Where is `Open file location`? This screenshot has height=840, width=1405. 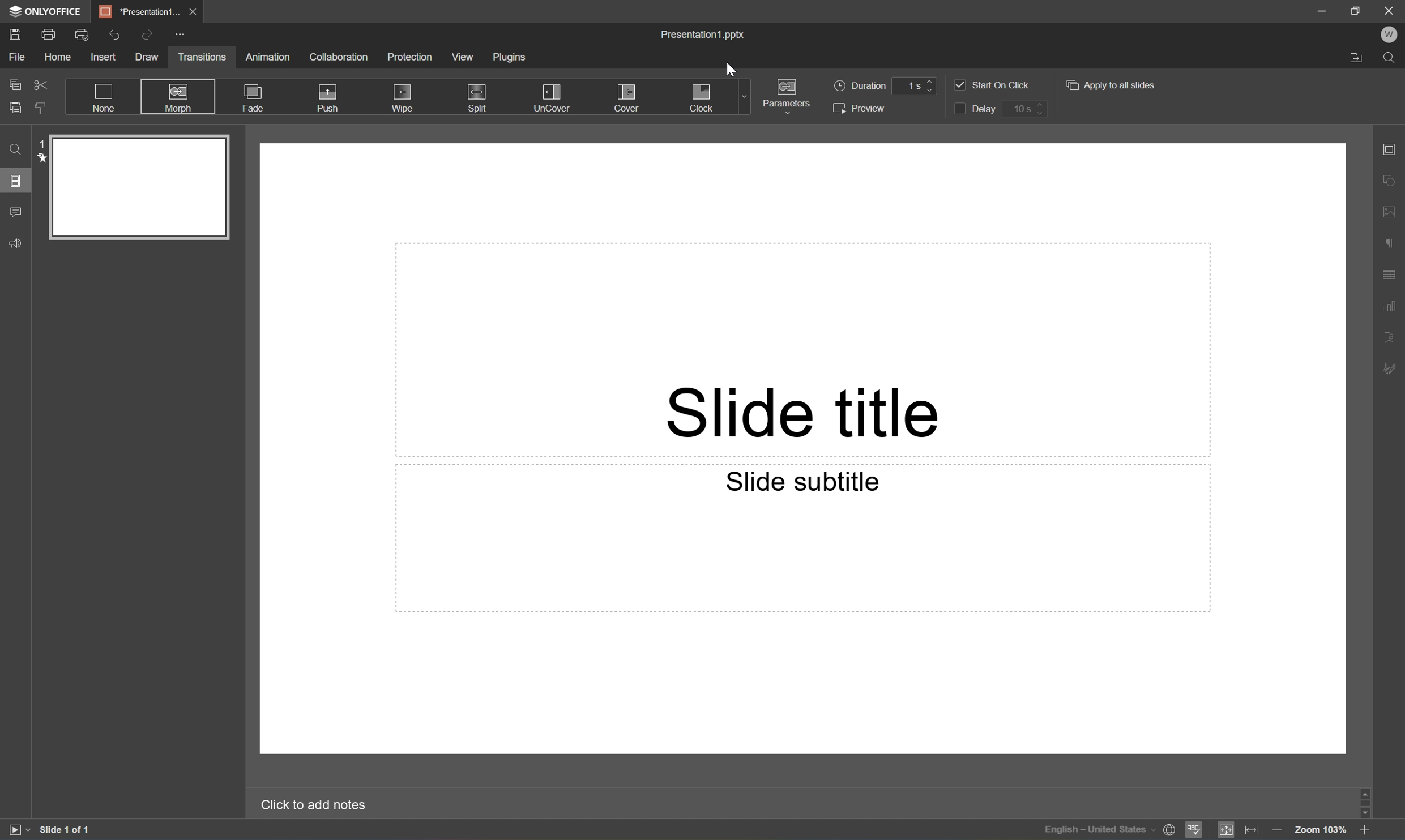 Open file location is located at coordinates (1357, 58).